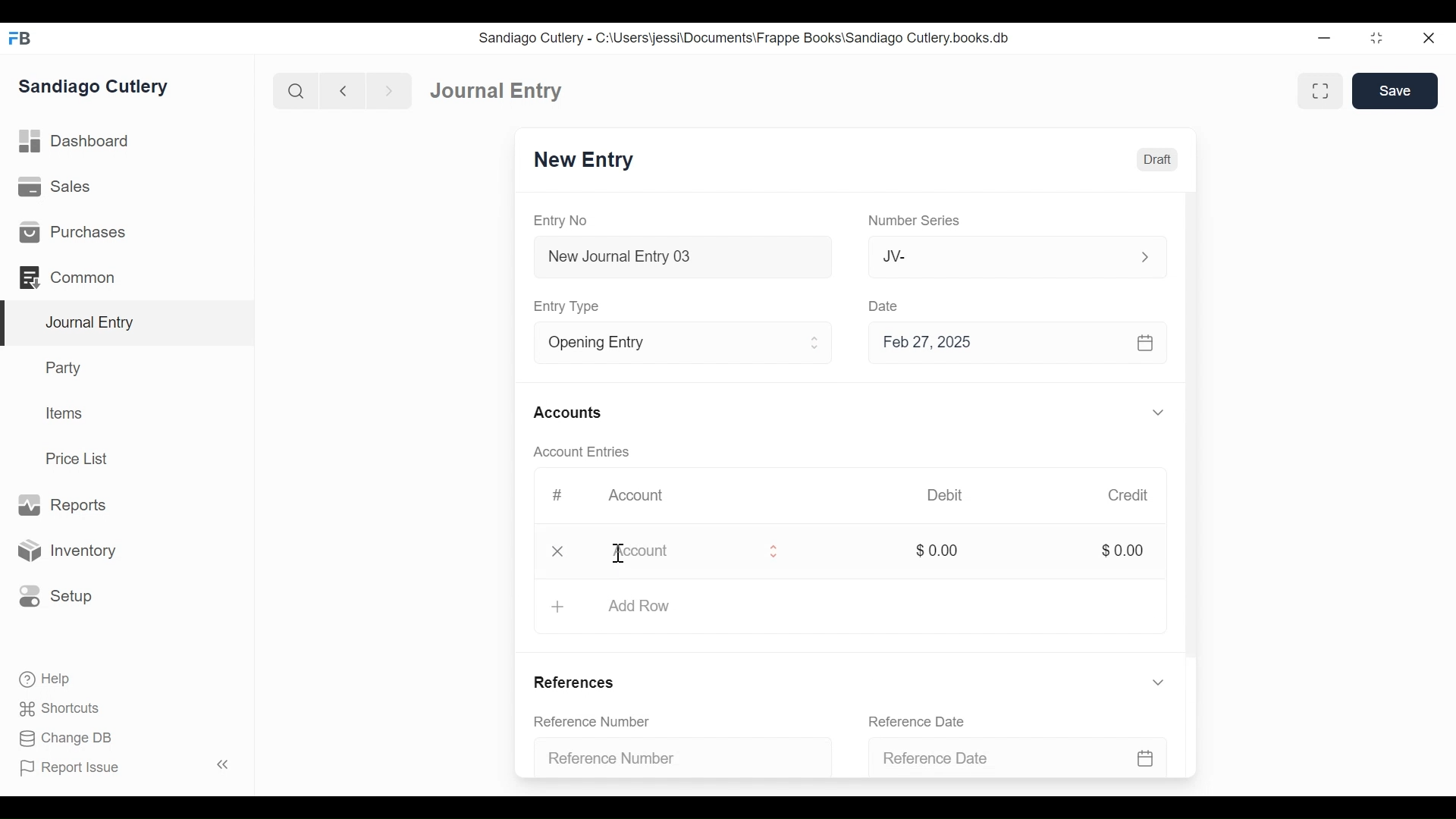 This screenshot has height=819, width=1456. What do you see at coordinates (628, 605) in the screenshot?
I see `+ Add Row` at bounding box center [628, 605].